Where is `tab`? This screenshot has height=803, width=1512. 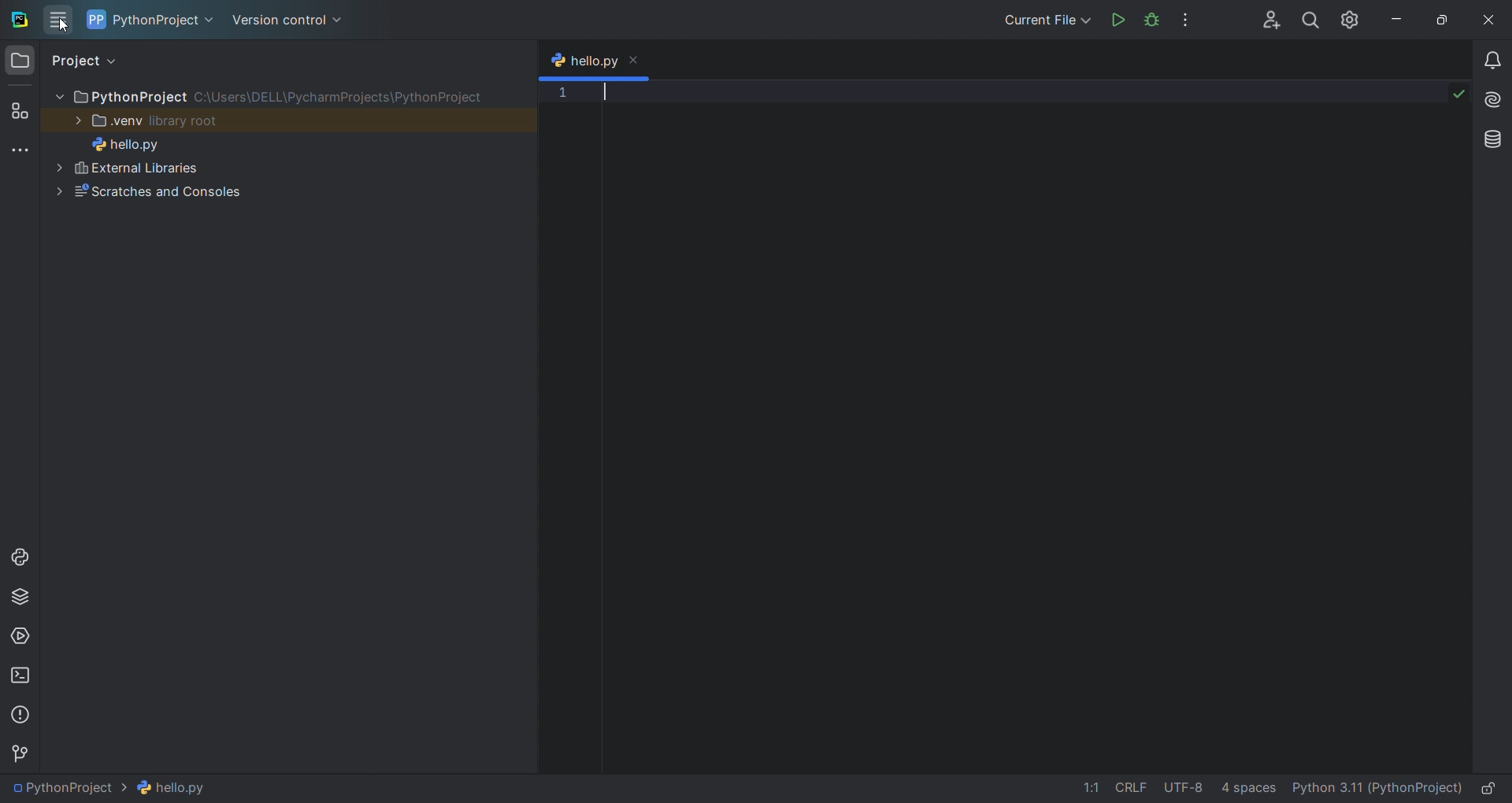 tab is located at coordinates (595, 62).